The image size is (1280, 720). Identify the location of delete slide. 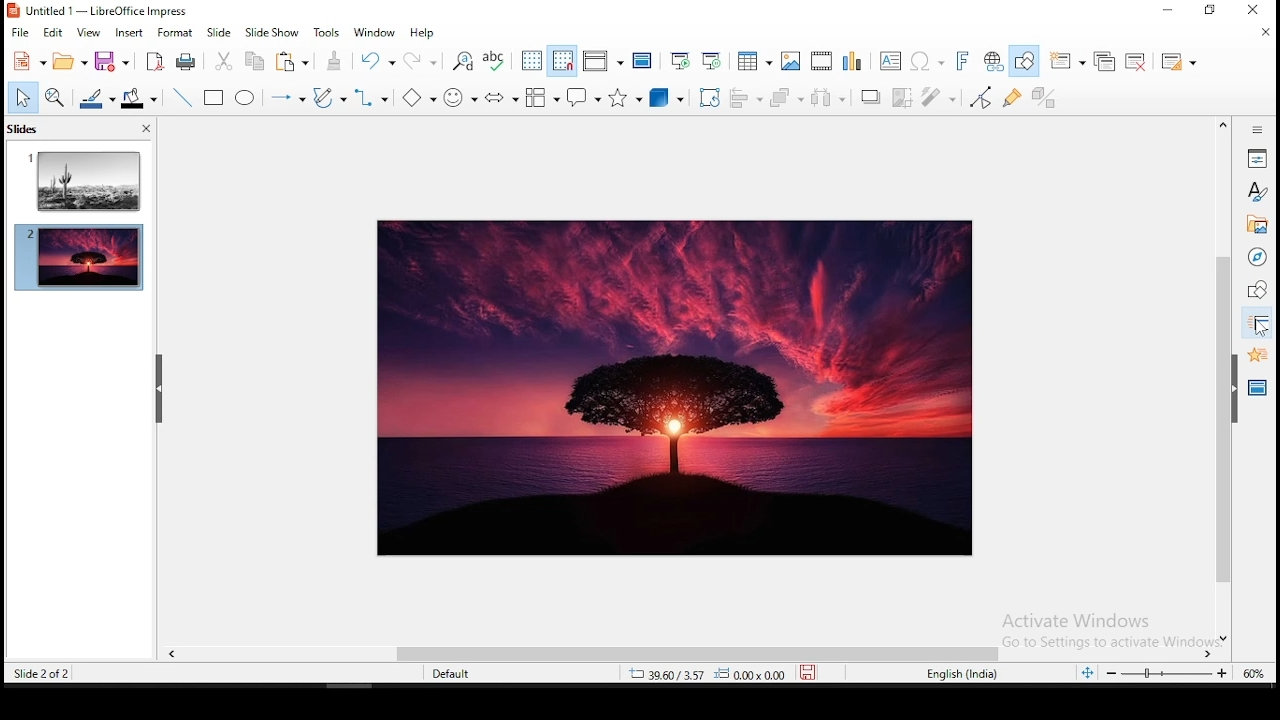
(1140, 58).